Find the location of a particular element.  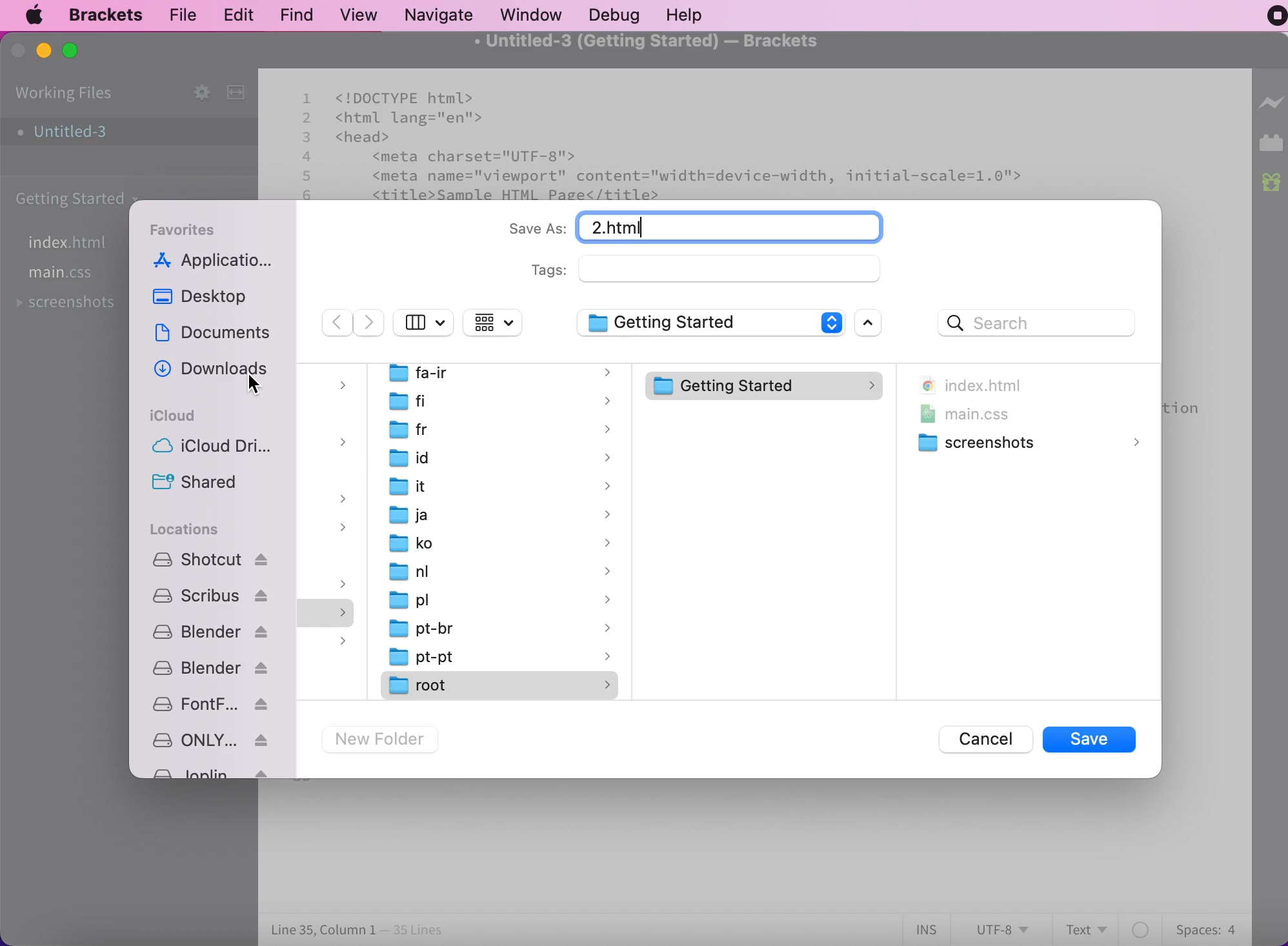

dropdown is located at coordinates (343, 528).